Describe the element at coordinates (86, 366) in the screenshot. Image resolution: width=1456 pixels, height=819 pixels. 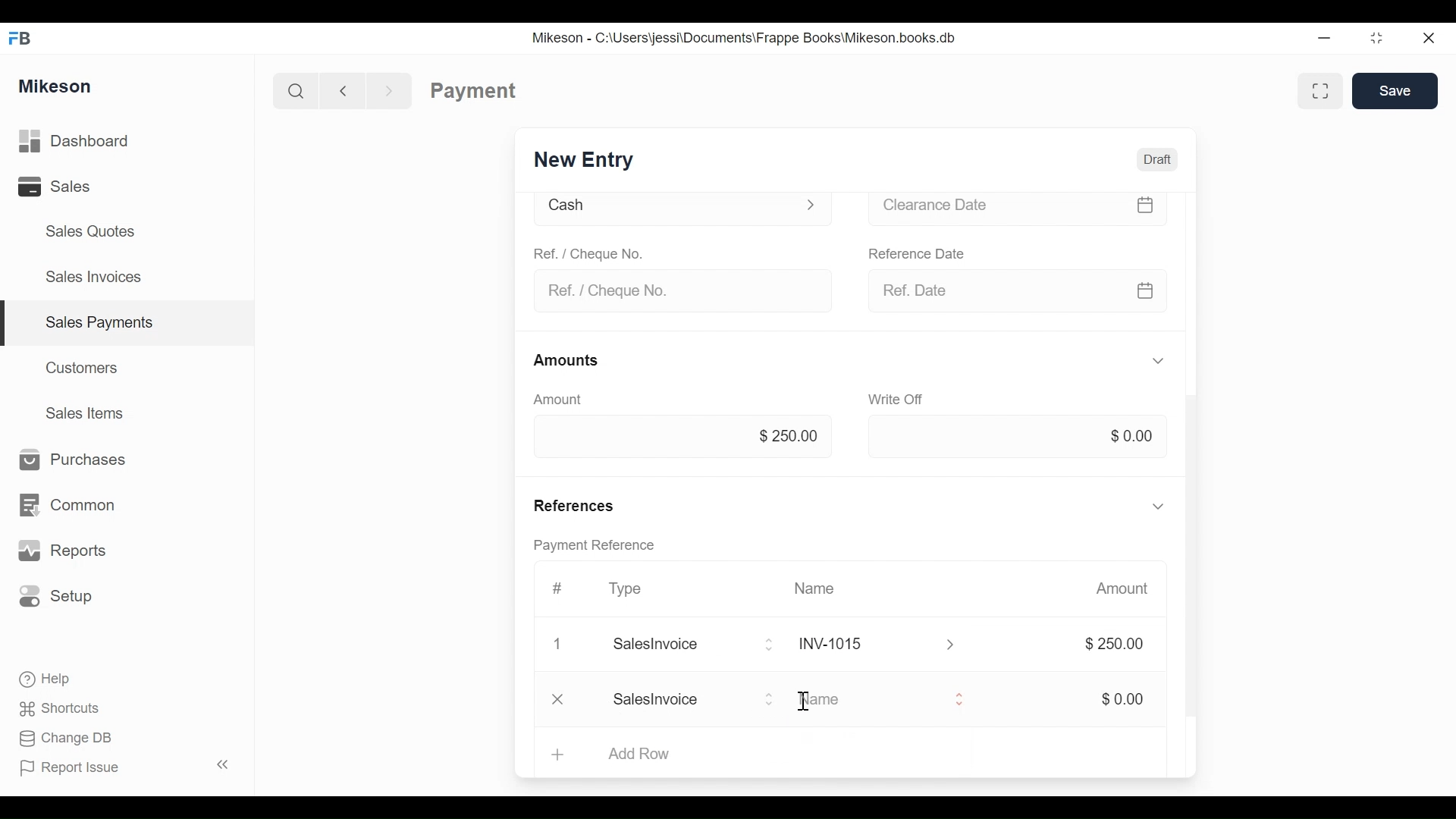
I see `Customers` at that location.